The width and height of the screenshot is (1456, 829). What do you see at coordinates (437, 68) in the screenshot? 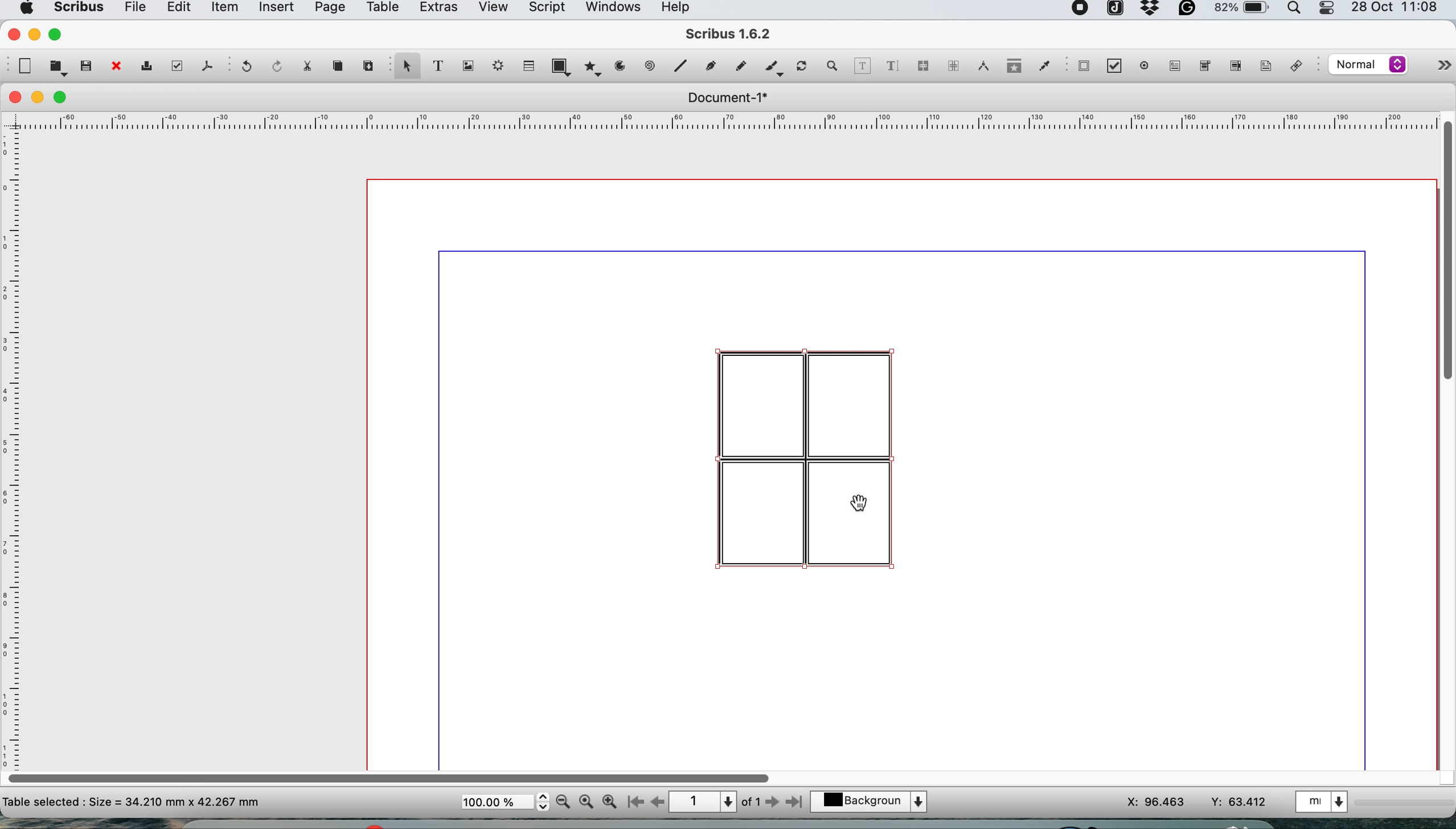
I see `text frame` at bounding box center [437, 68].